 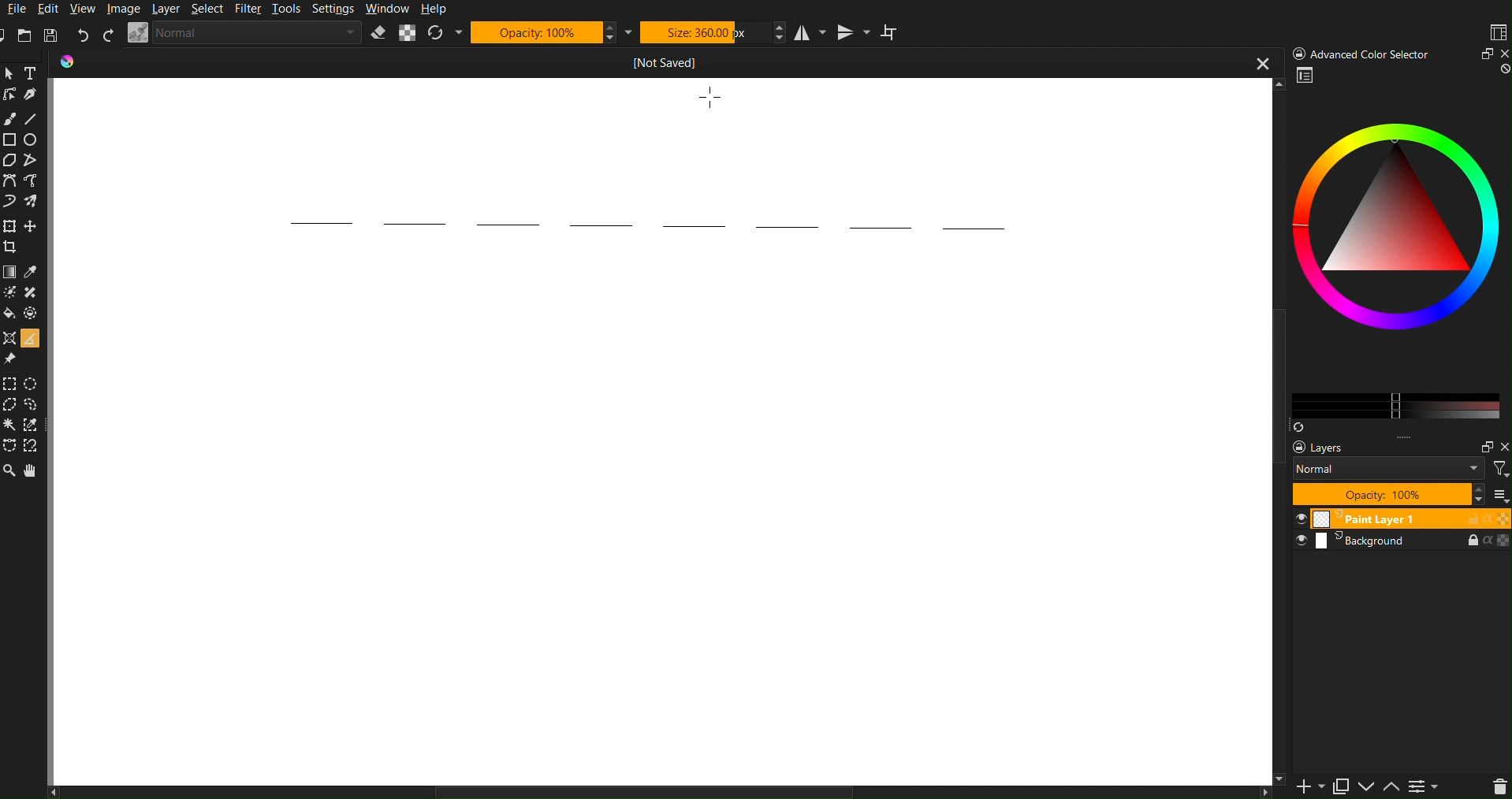 I want to click on Settings, so click(x=1431, y=786).